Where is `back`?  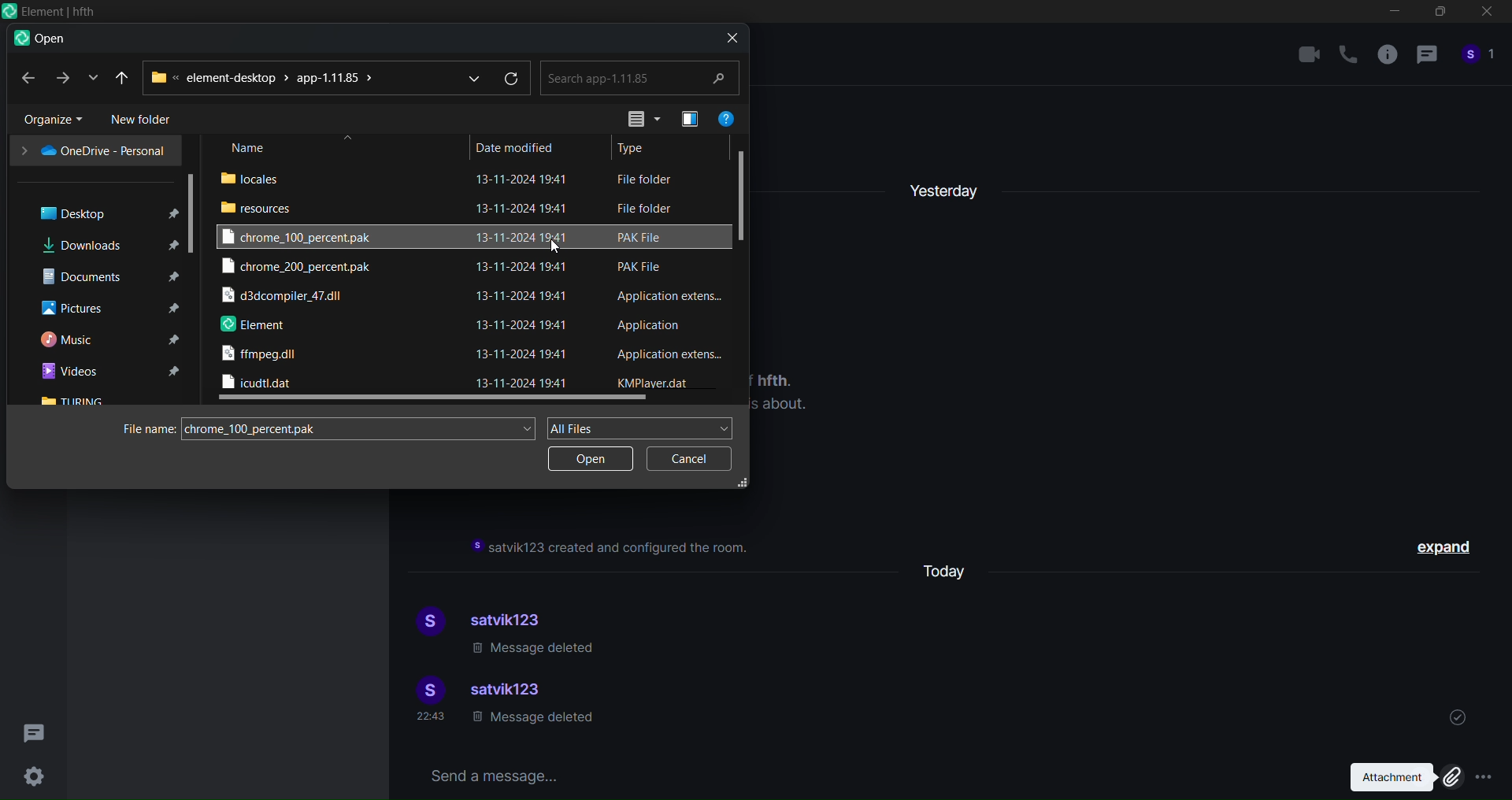 back is located at coordinates (26, 78).